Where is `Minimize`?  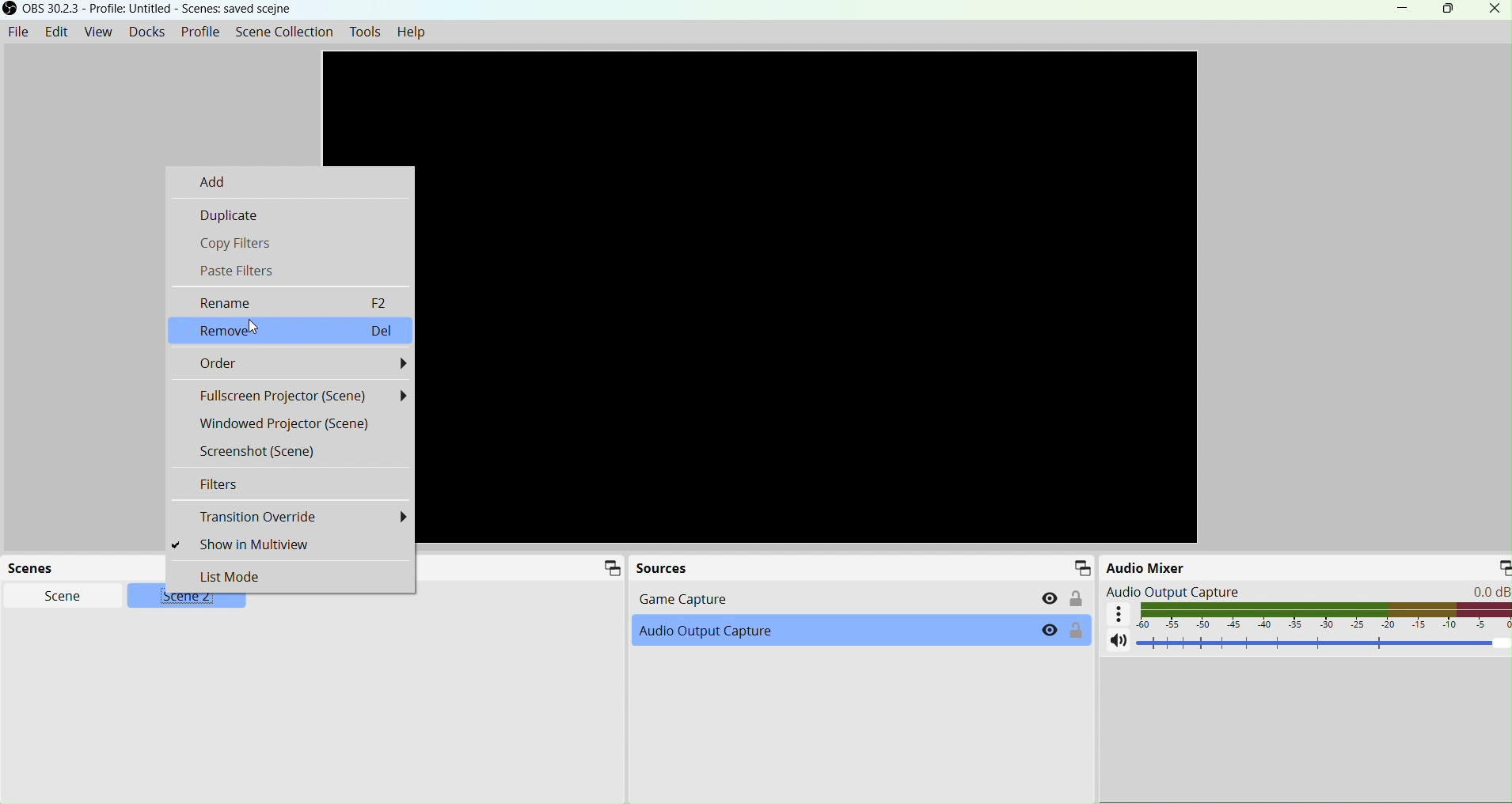 Minimize is located at coordinates (1402, 8).